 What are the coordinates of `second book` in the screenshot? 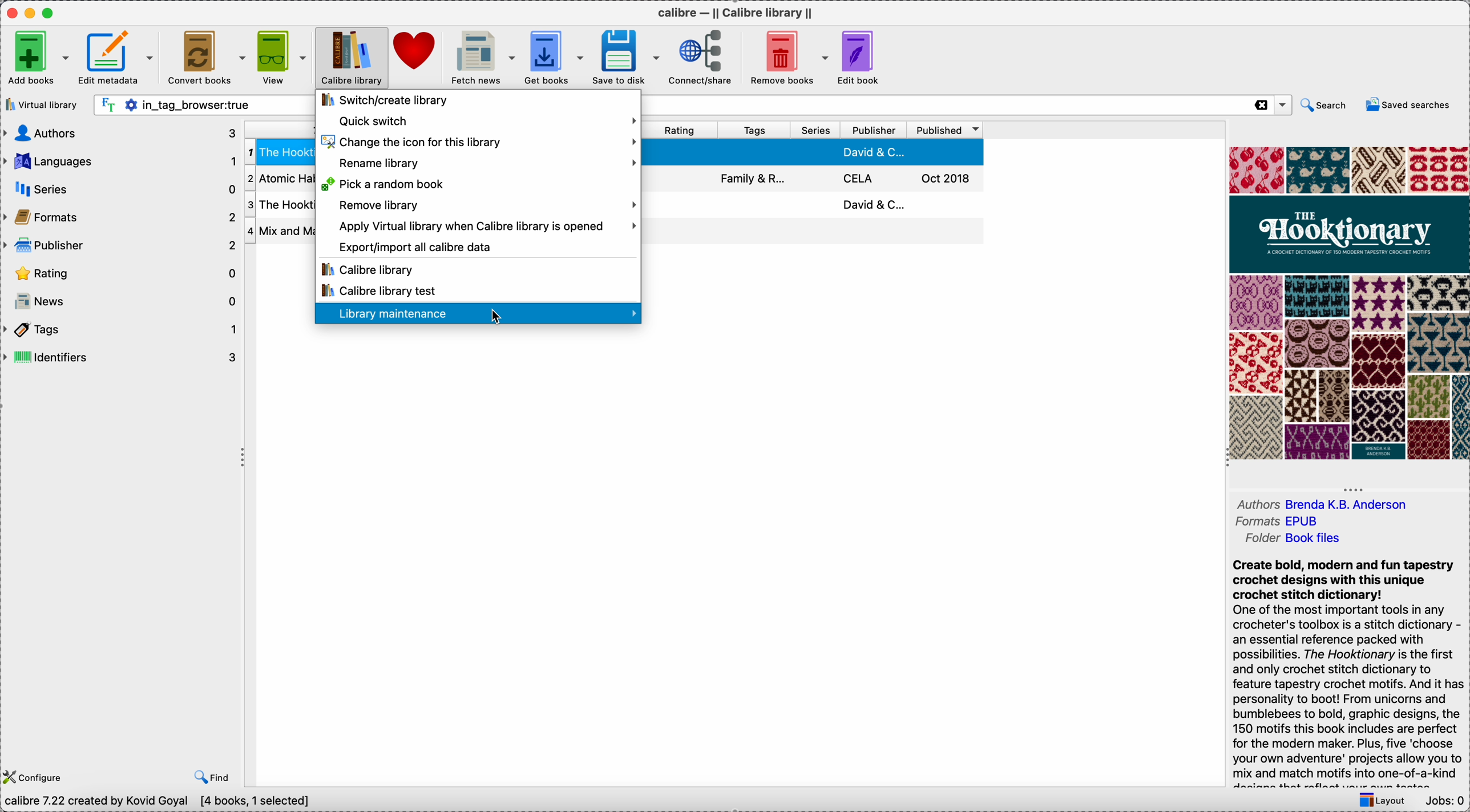 It's located at (819, 179).